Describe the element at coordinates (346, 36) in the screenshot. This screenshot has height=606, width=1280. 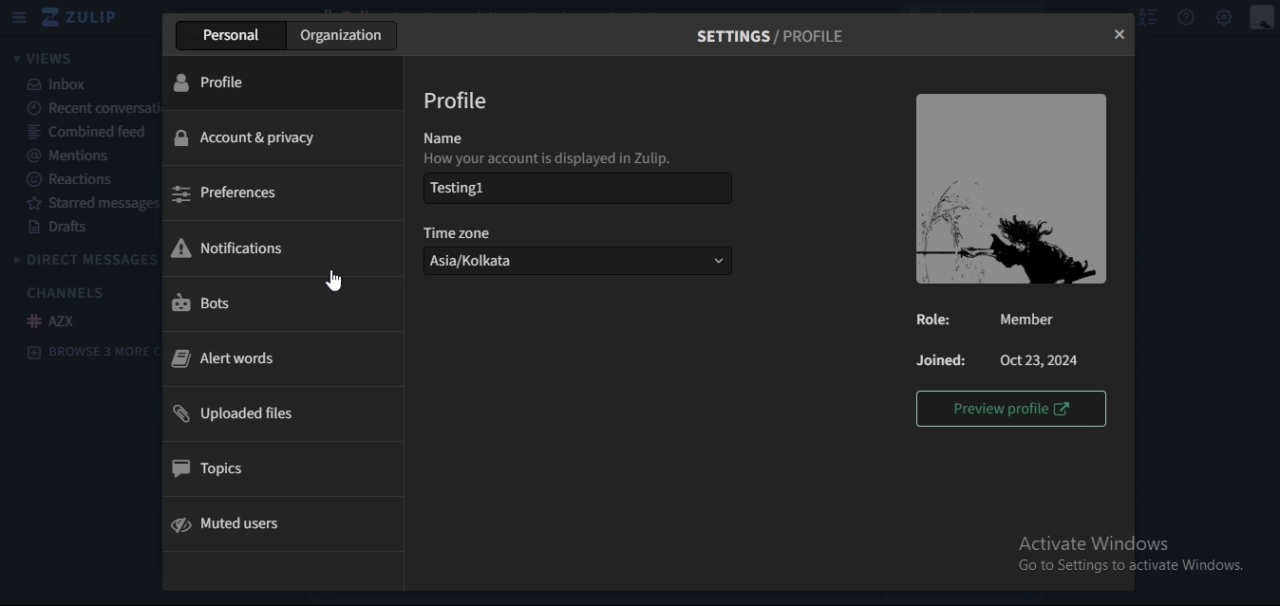
I see `organization` at that location.